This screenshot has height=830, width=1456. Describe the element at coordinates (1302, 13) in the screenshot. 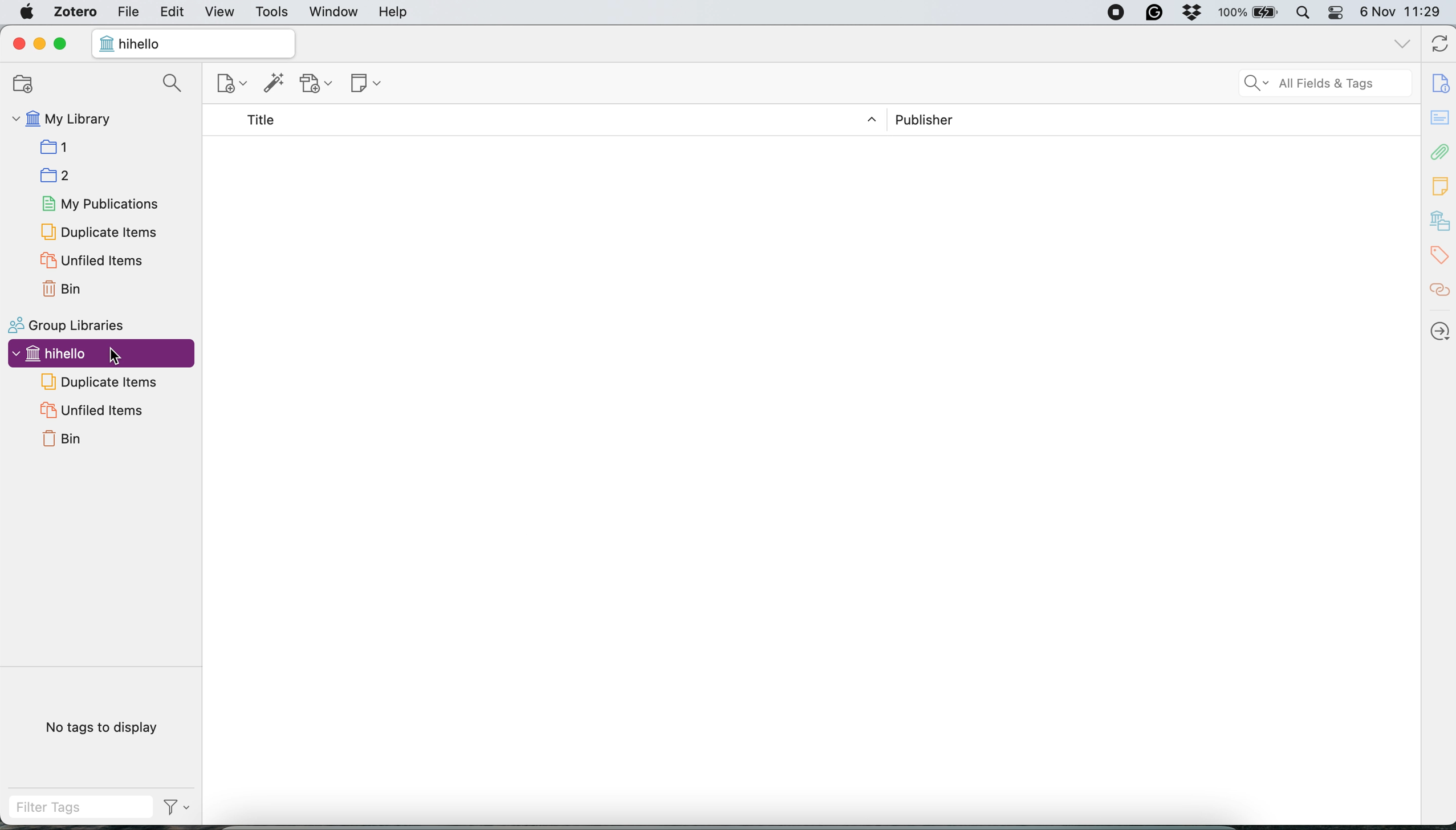

I see `spotlight search` at that location.